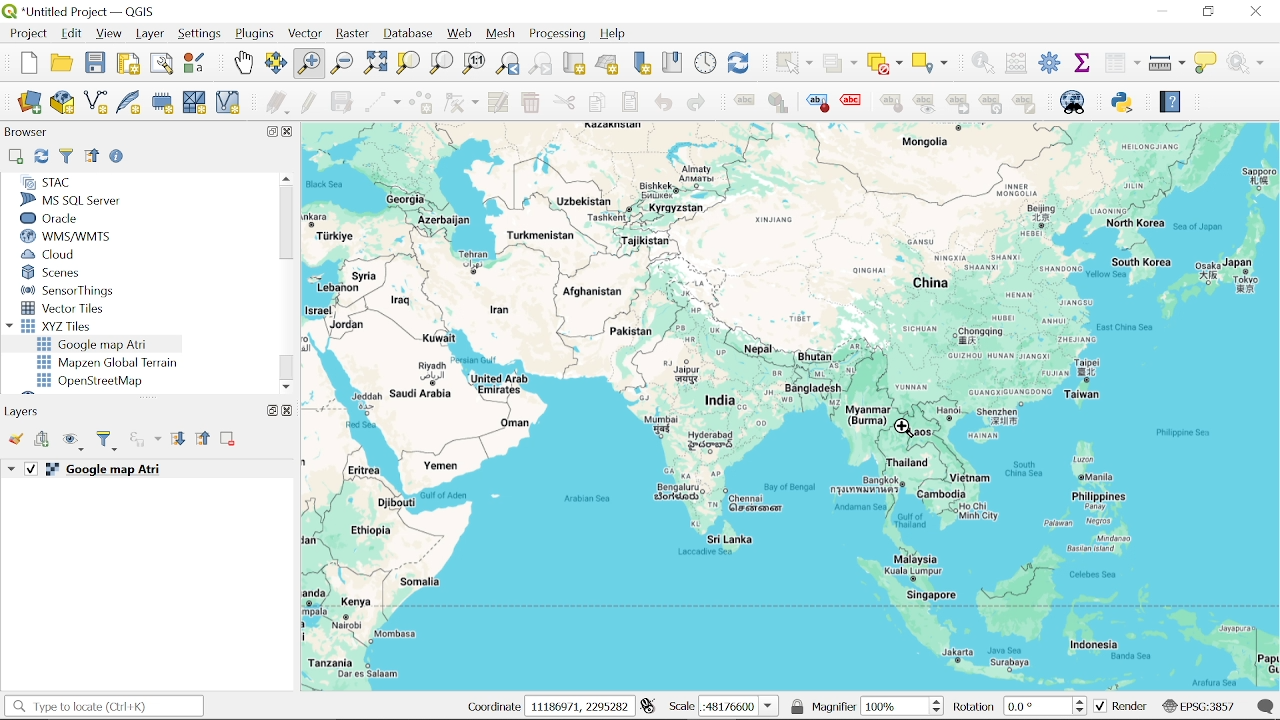  What do you see at coordinates (680, 707) in the screenshot?
I see `scale` at bounding box center [680, 707].